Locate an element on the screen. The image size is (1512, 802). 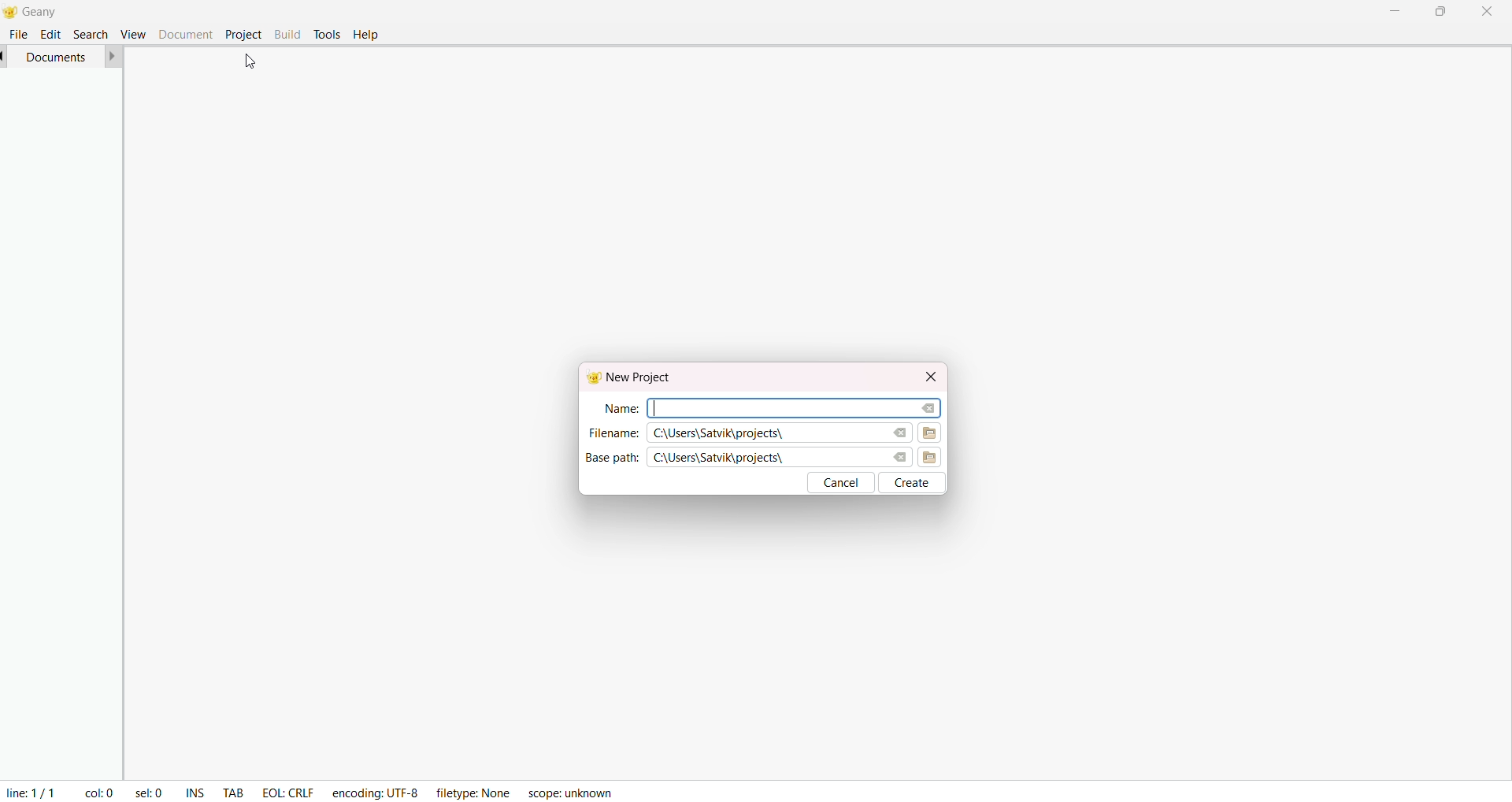
 Filename: is located at coordinates (613, 432).